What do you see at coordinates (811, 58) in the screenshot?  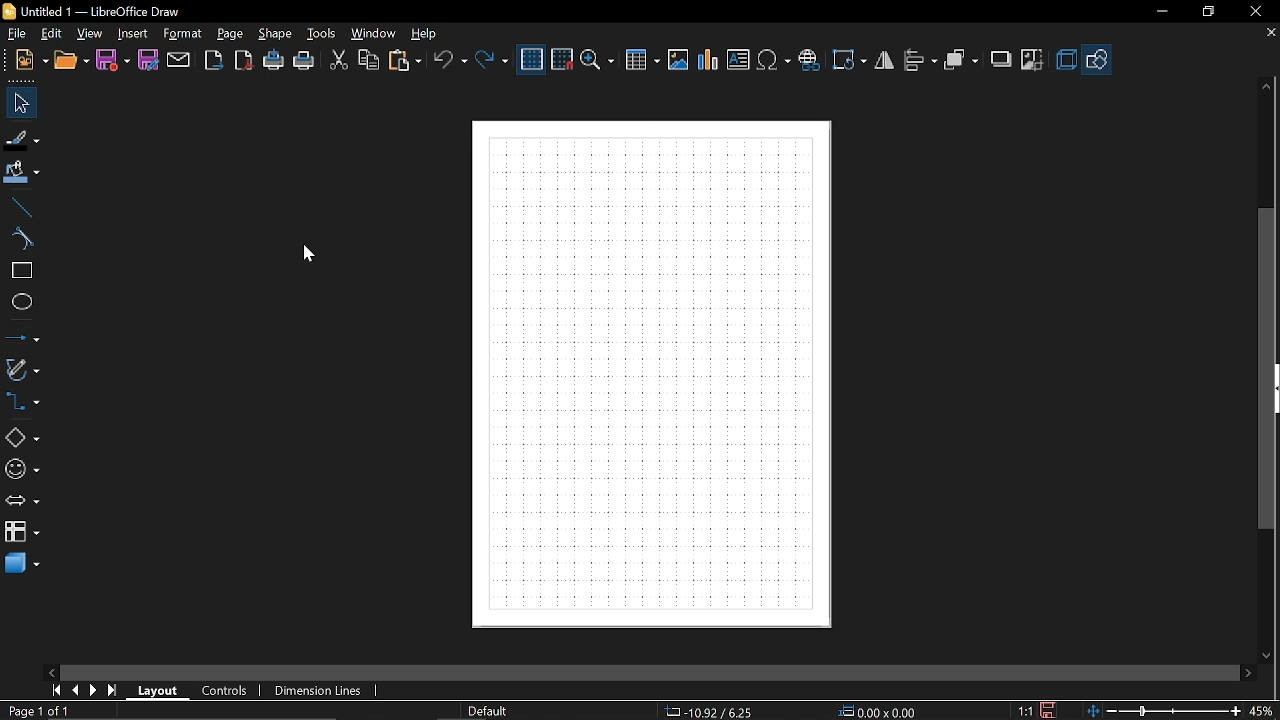 I see `Insert Hyperlink` at bounding box center [811, 58].